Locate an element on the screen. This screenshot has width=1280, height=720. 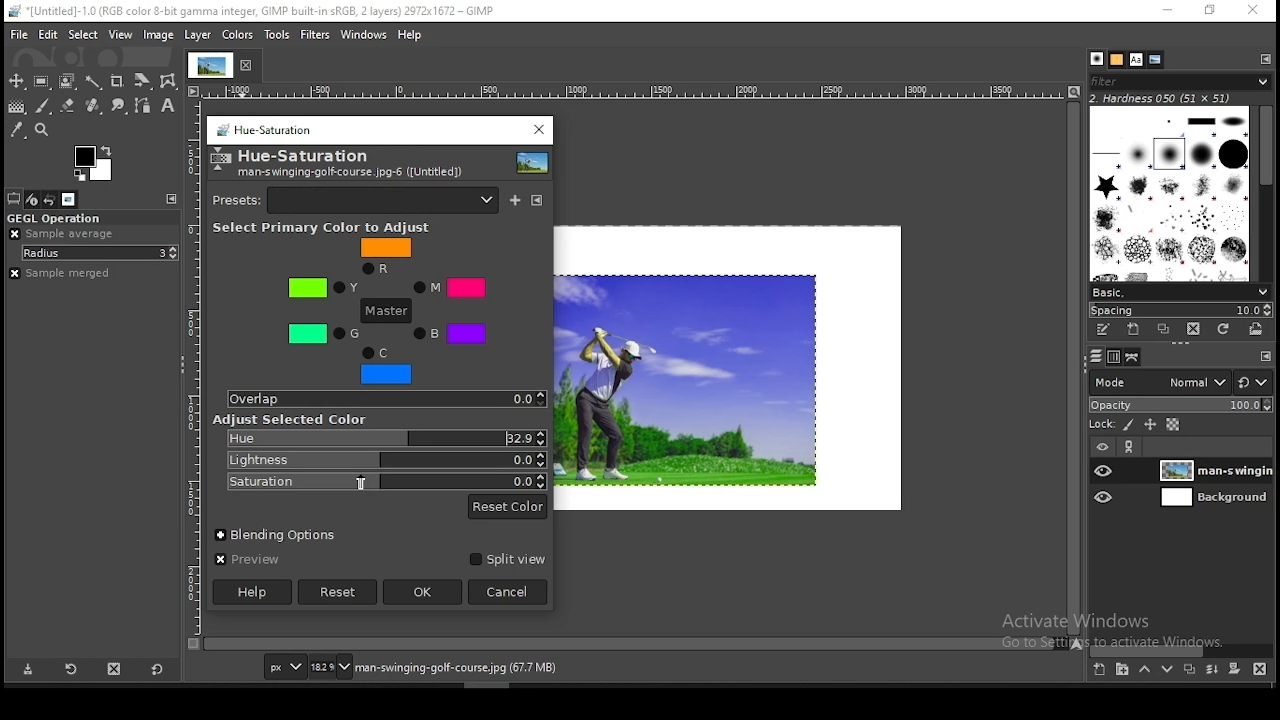
sample merged is located at coordinates (63, 273).